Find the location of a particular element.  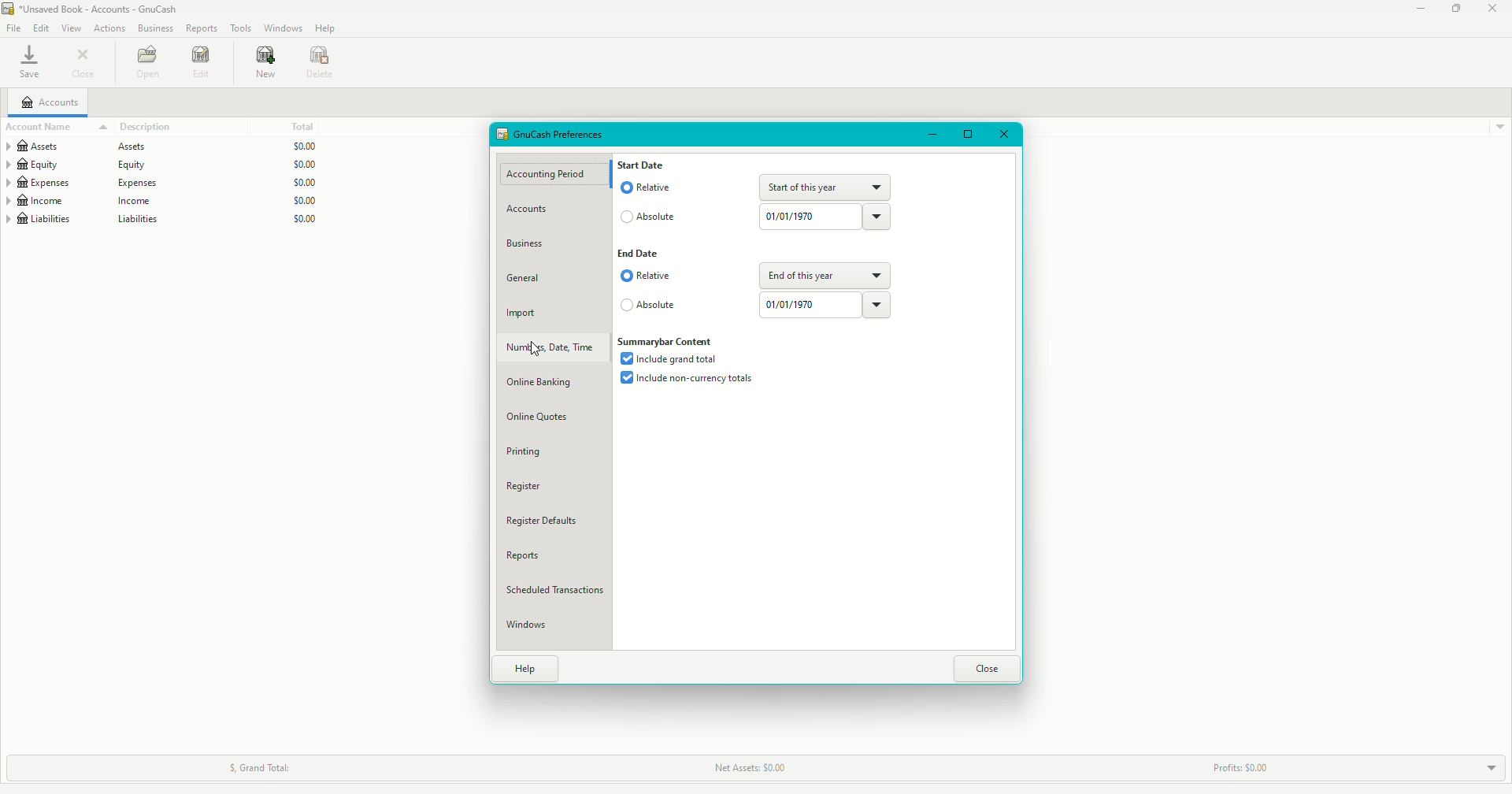

Total is located at coordinates (308, 128).